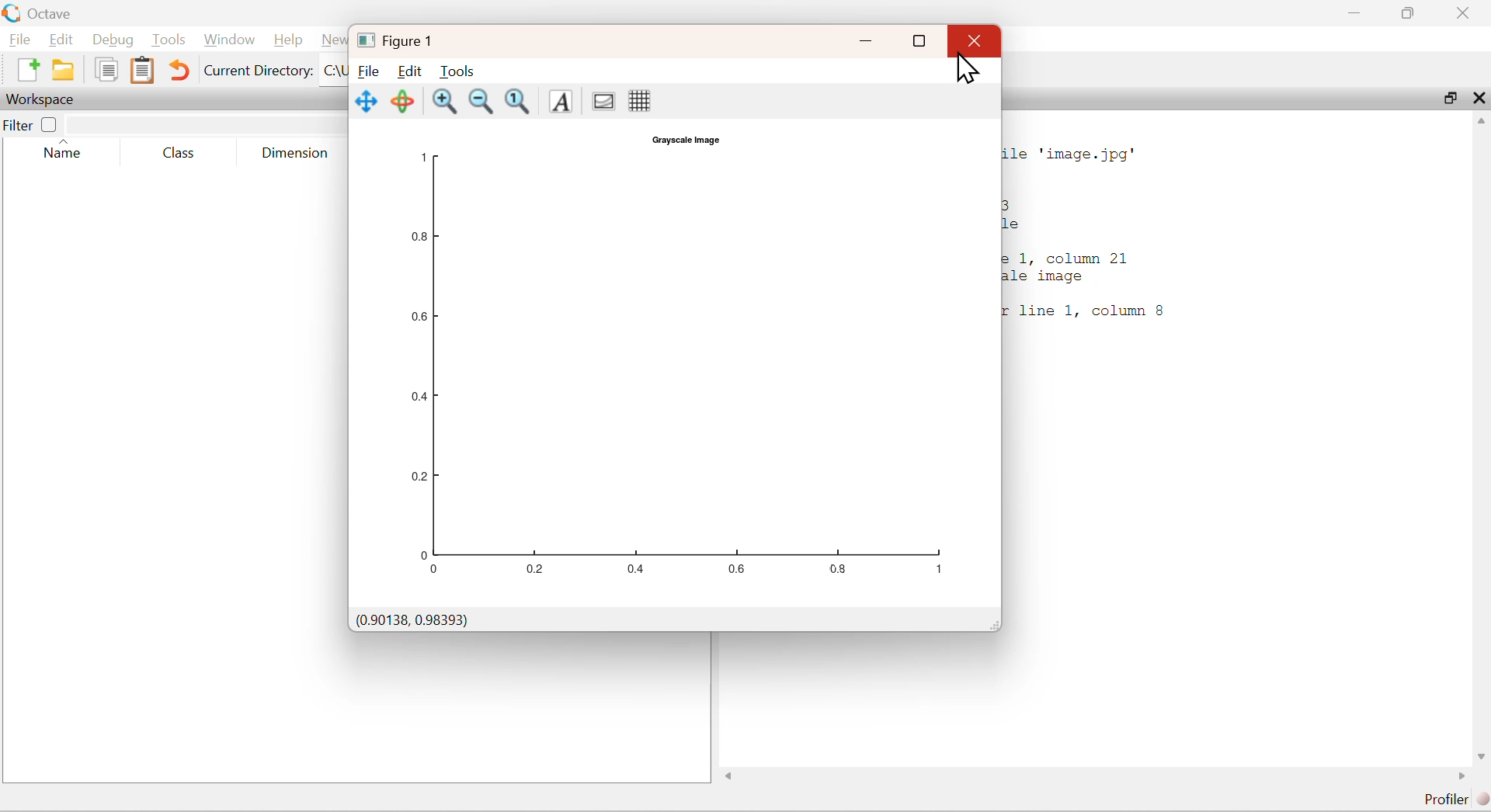 The width and height of the screenshot is (1491, 812). Describe the element at coordinates (683, 140) in the screenshot. I see `Grayscale Image` at that location.